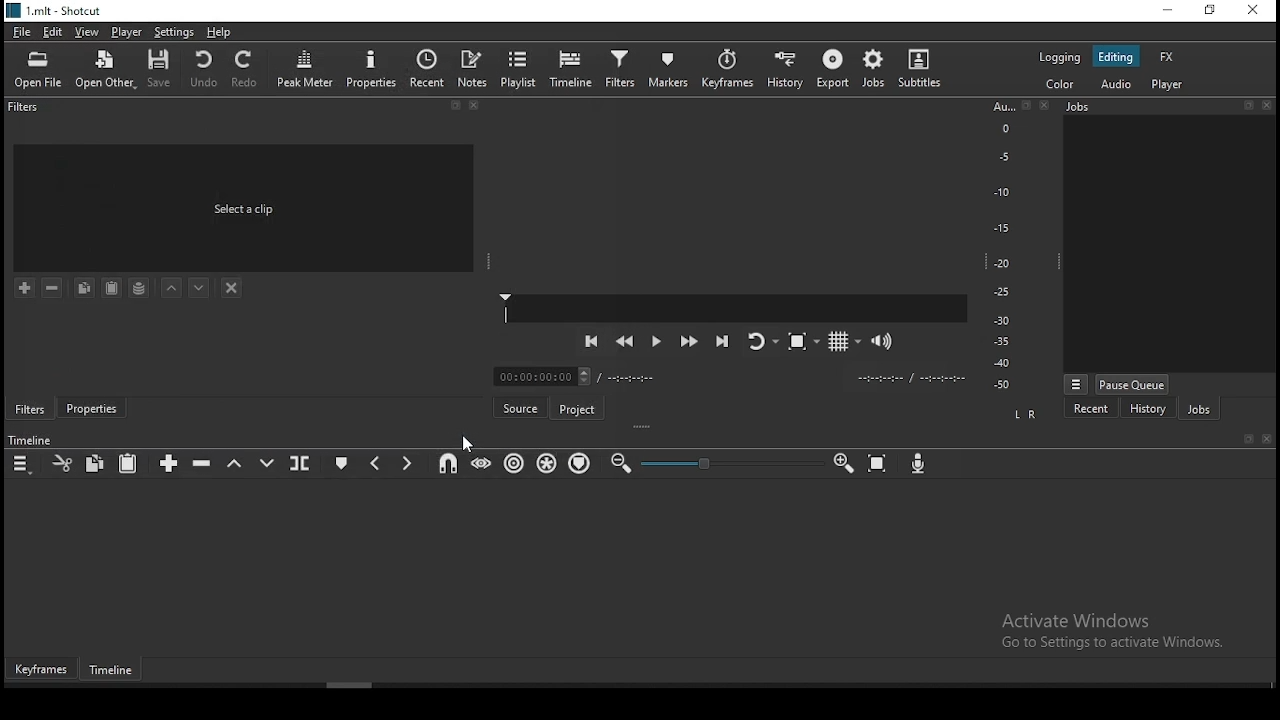 The width and height of the screenshot is (1280, 720). What do you see at coordinates (139, 288) in the screenshot?
I see `save a filter set` at bounding box center [139, 288].